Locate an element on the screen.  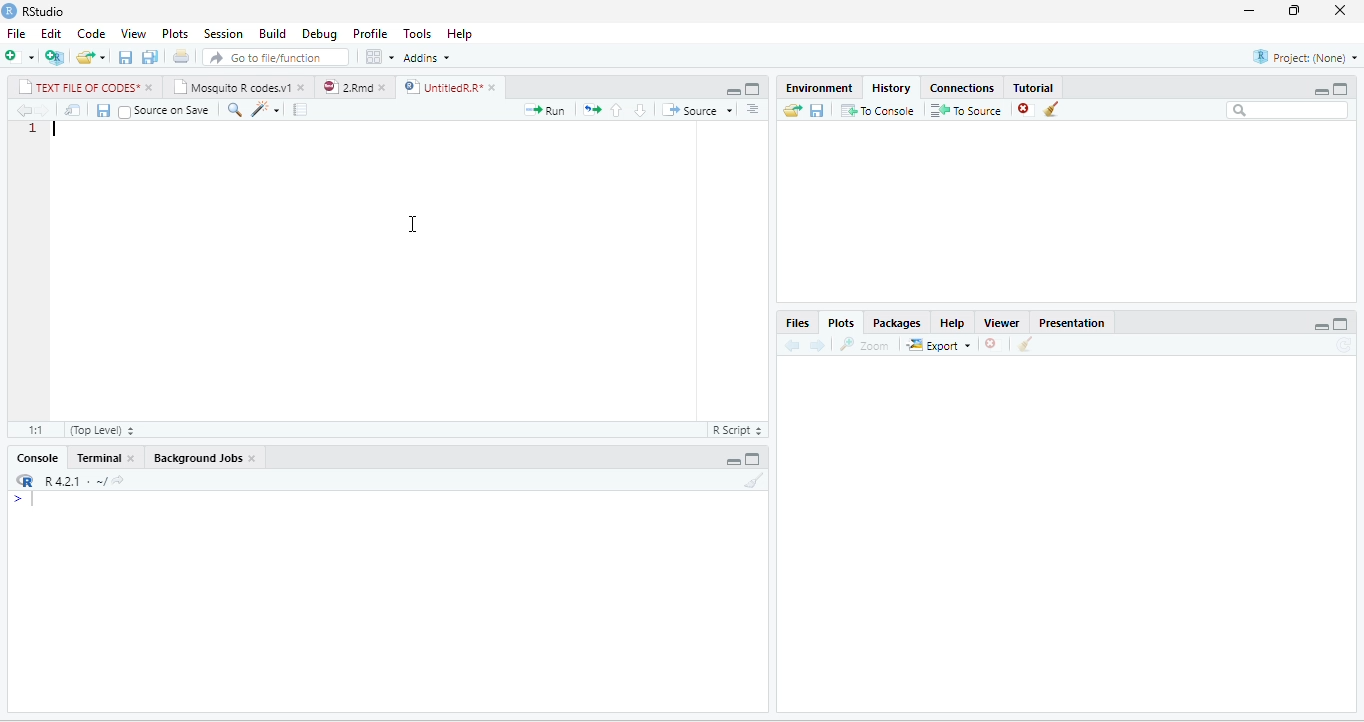
search bar is located at coordinates (1287, 111).